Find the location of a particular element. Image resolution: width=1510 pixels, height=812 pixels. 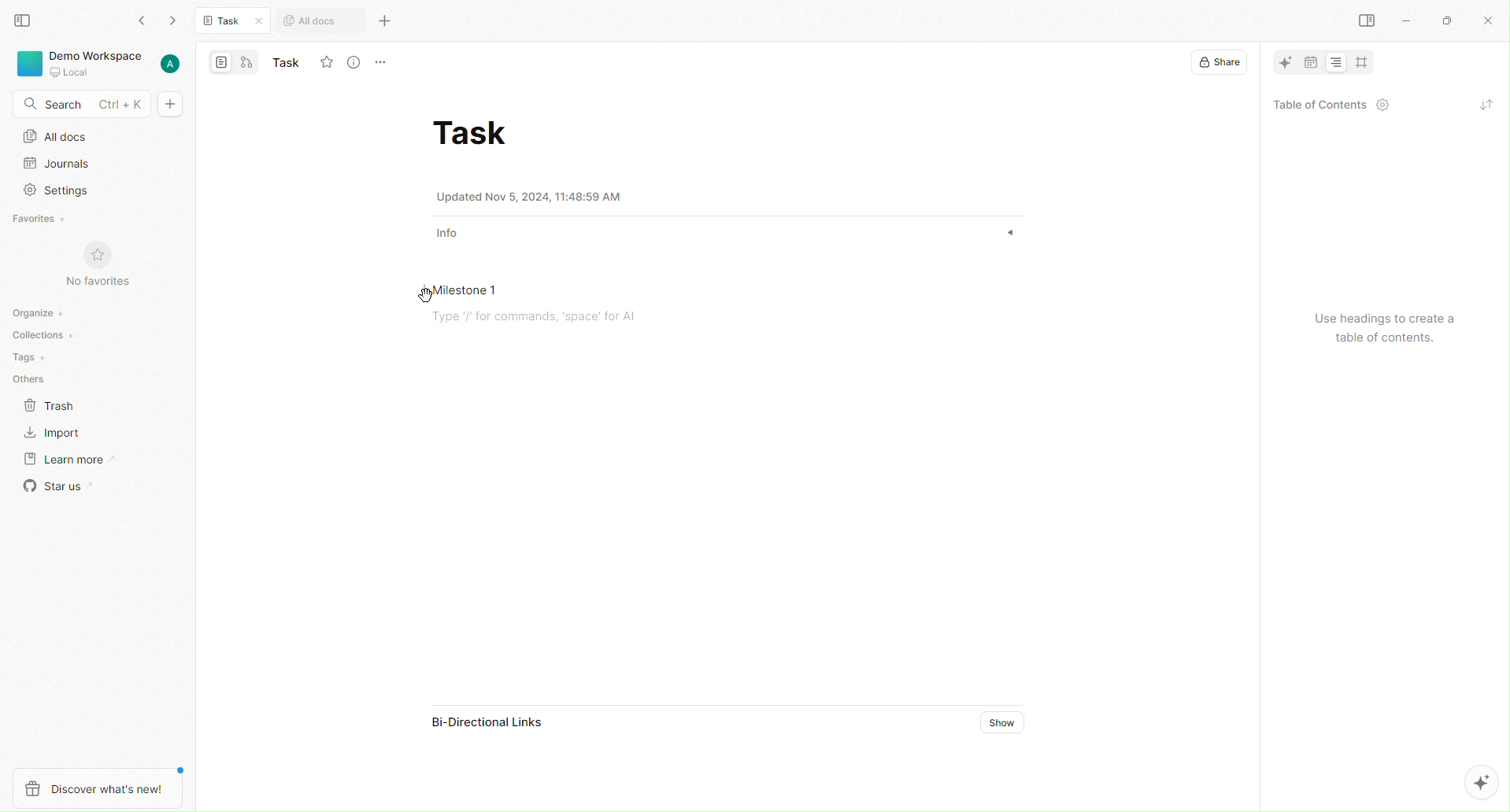

AI options is located at coordinates (1487, 787).